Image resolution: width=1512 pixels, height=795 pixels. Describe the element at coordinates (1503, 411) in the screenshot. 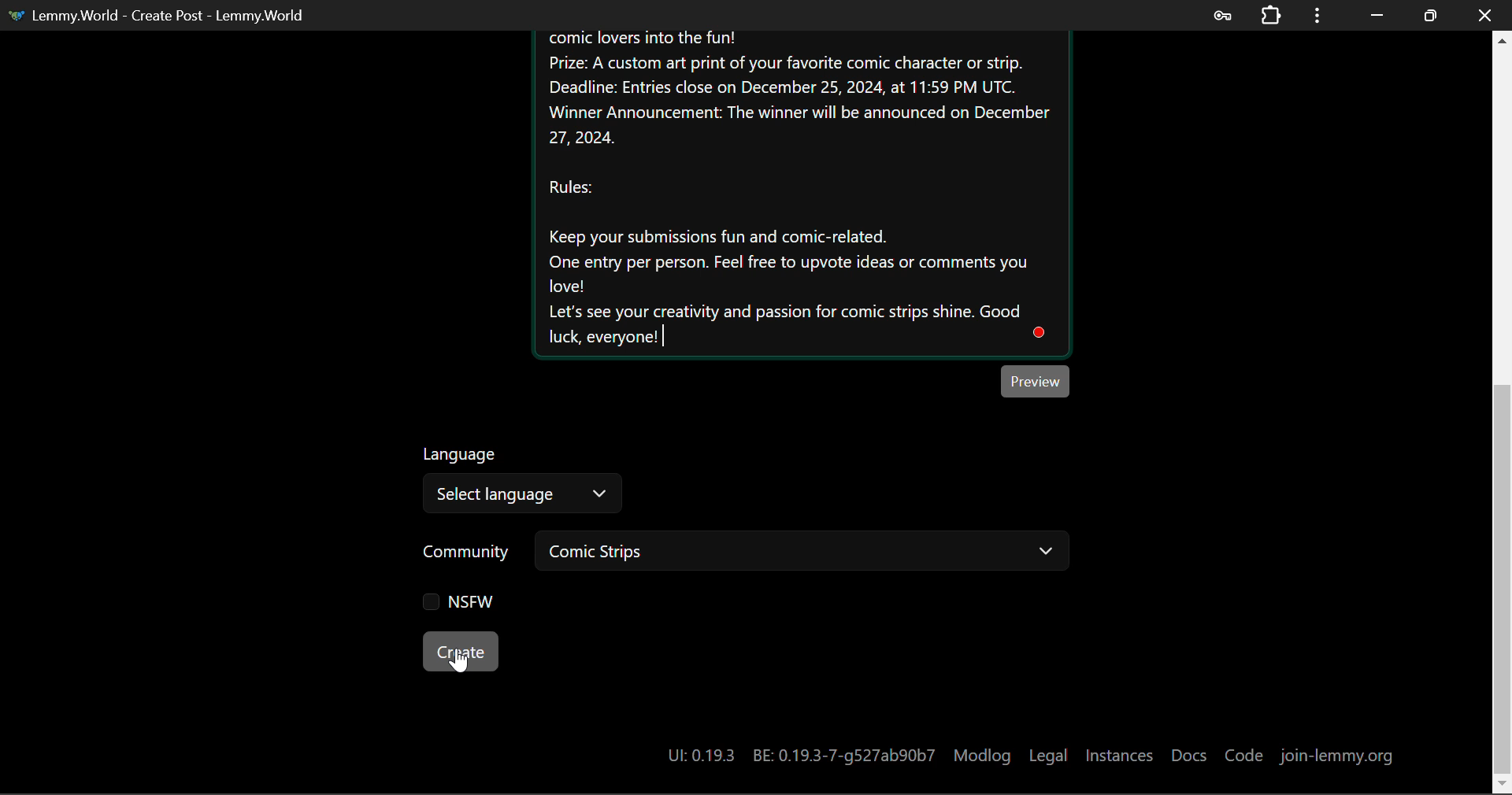

I see `Scroll Bar` at that location.